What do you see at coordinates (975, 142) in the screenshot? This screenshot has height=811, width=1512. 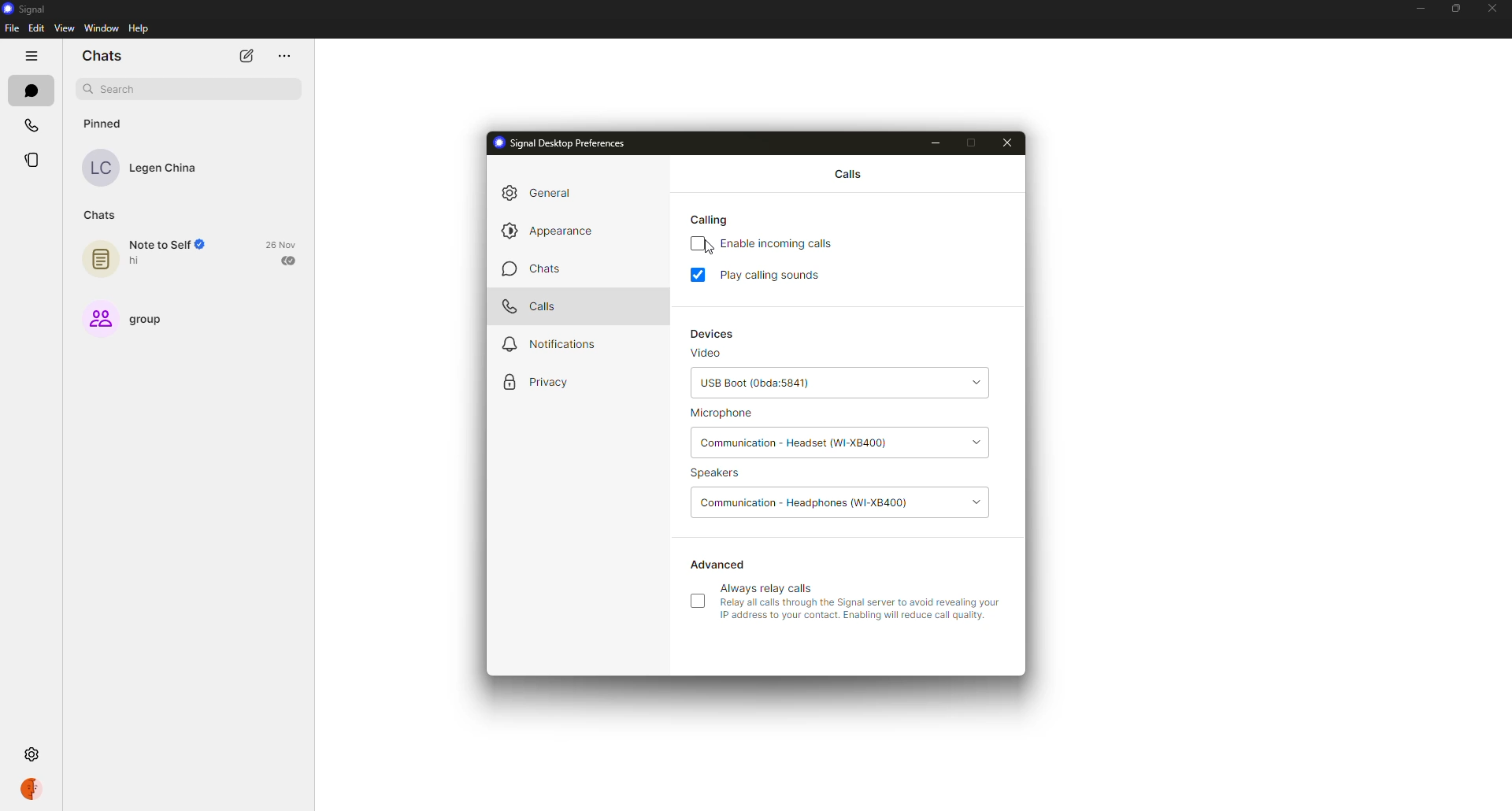 I see `maximize` at bounding box center [975, 142].